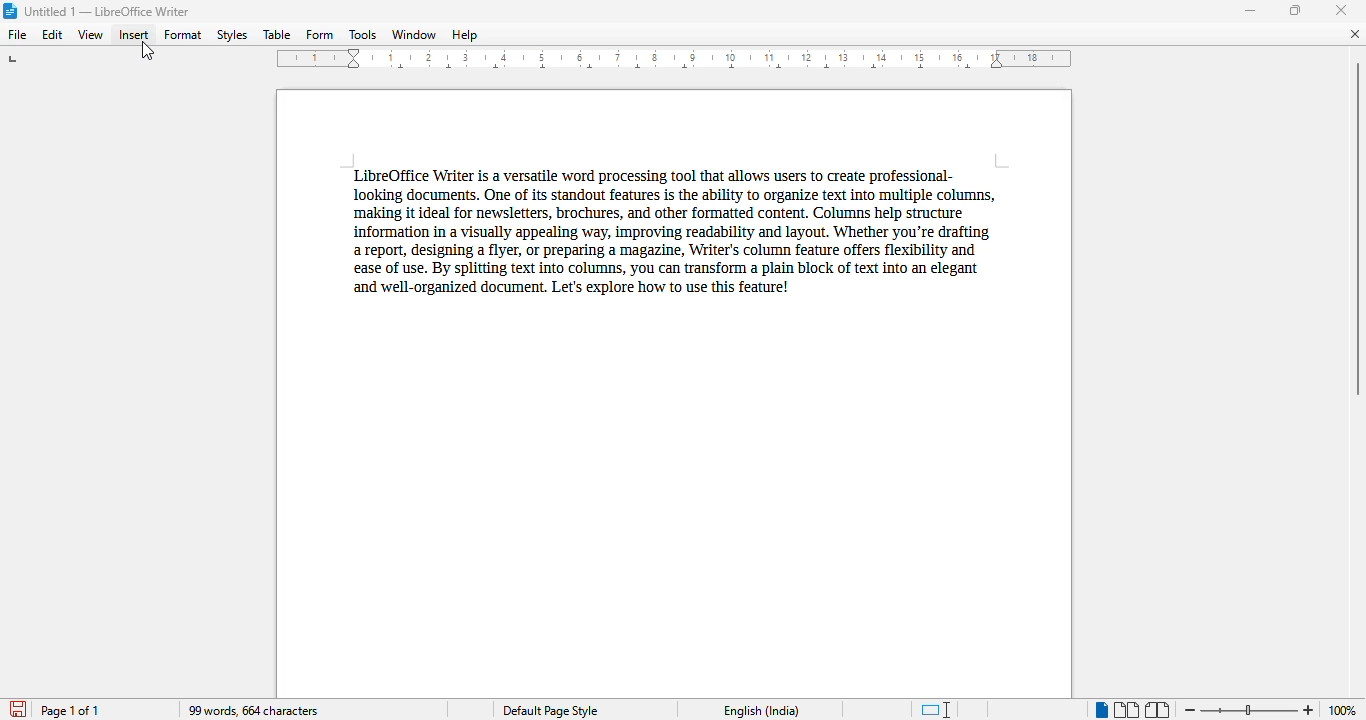 This screenshot has height=720, width=1366. What do you see at coordinates (15, 61) in the screenshot?
I see `tab stop` at bounding box center [15, 61].